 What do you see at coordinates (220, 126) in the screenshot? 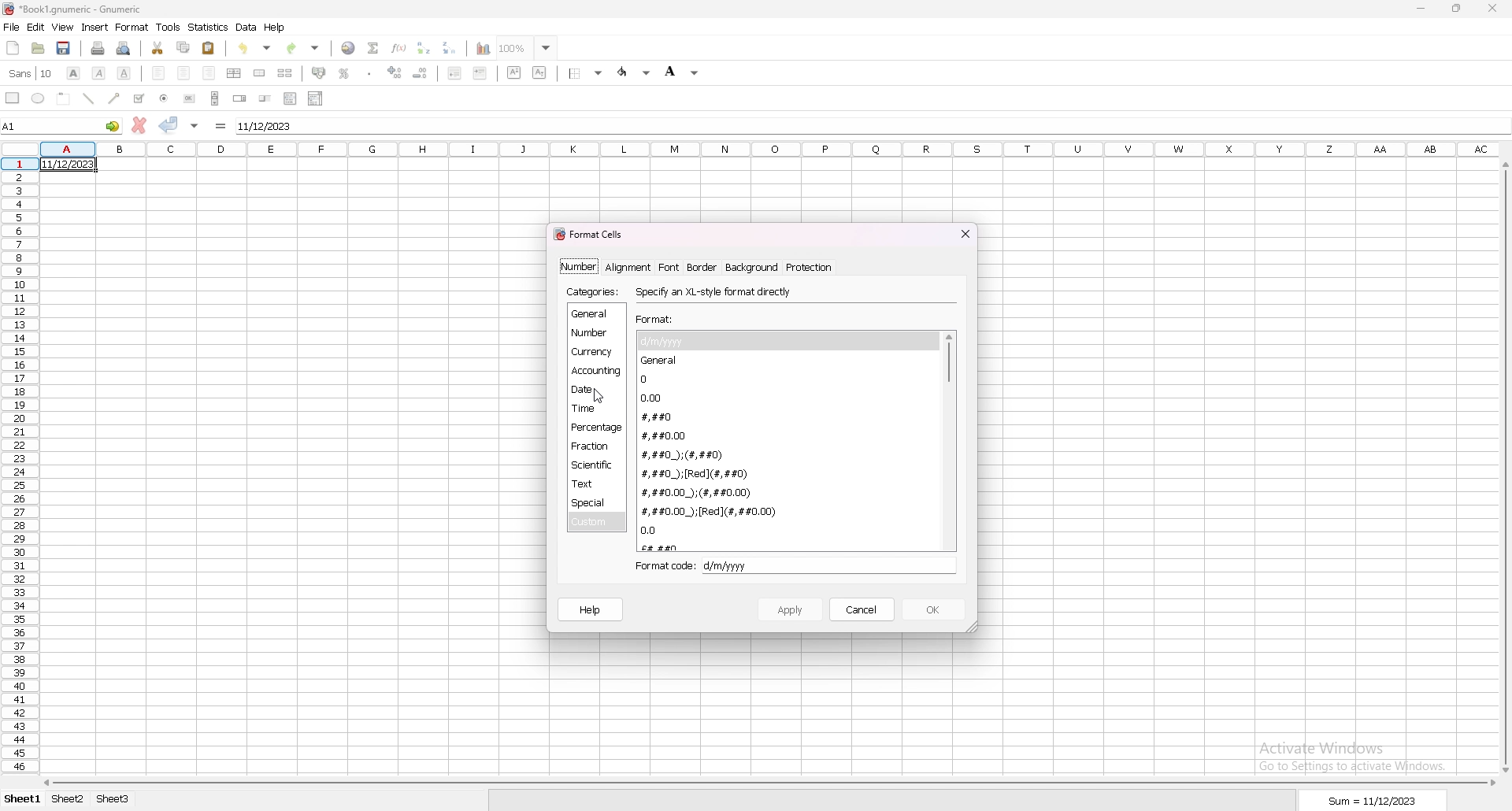
I see `formula` at bounding box center [220, 126].